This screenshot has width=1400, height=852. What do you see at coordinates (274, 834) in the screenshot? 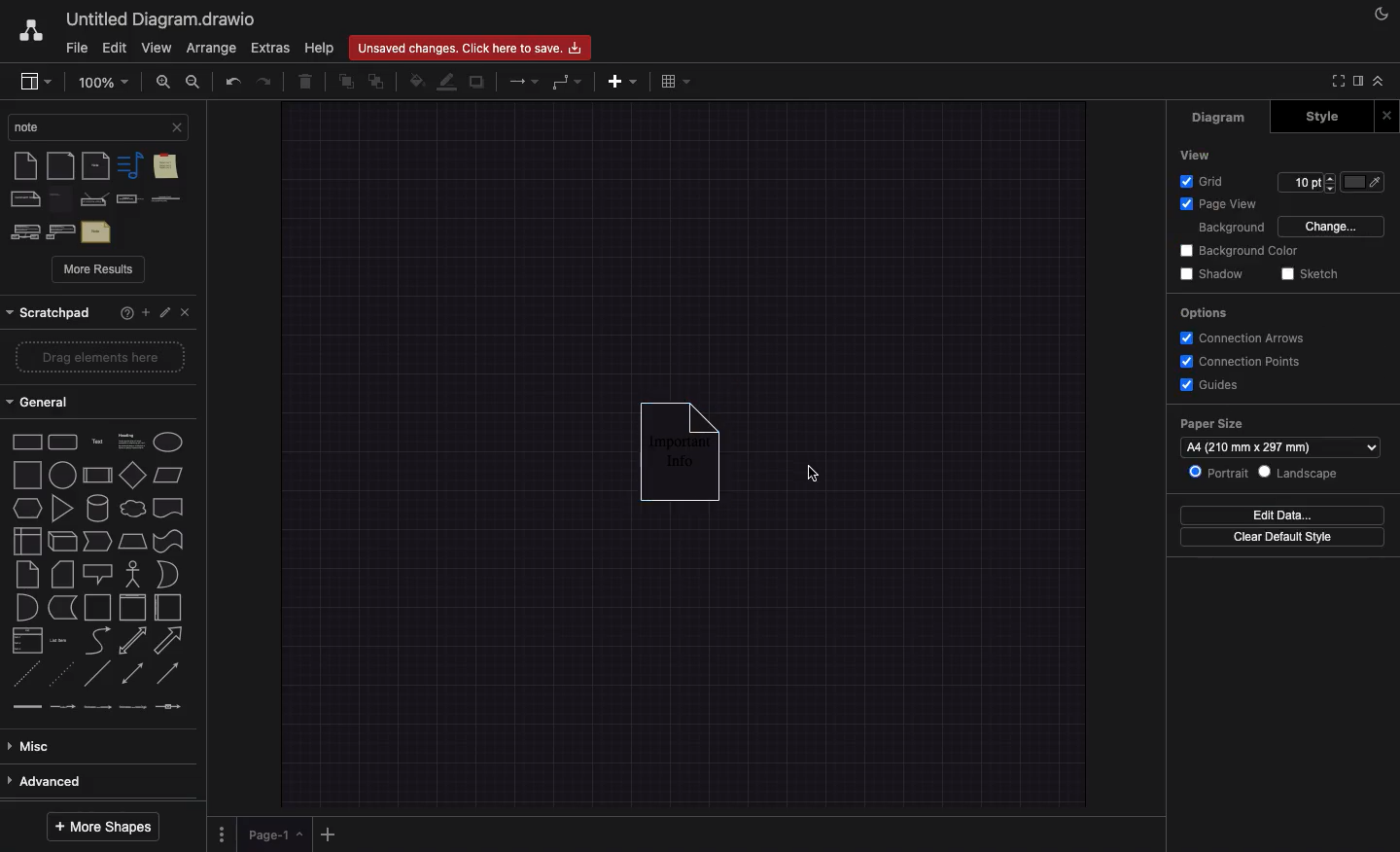
I see `Page 1` at bounding box center [274, 834].